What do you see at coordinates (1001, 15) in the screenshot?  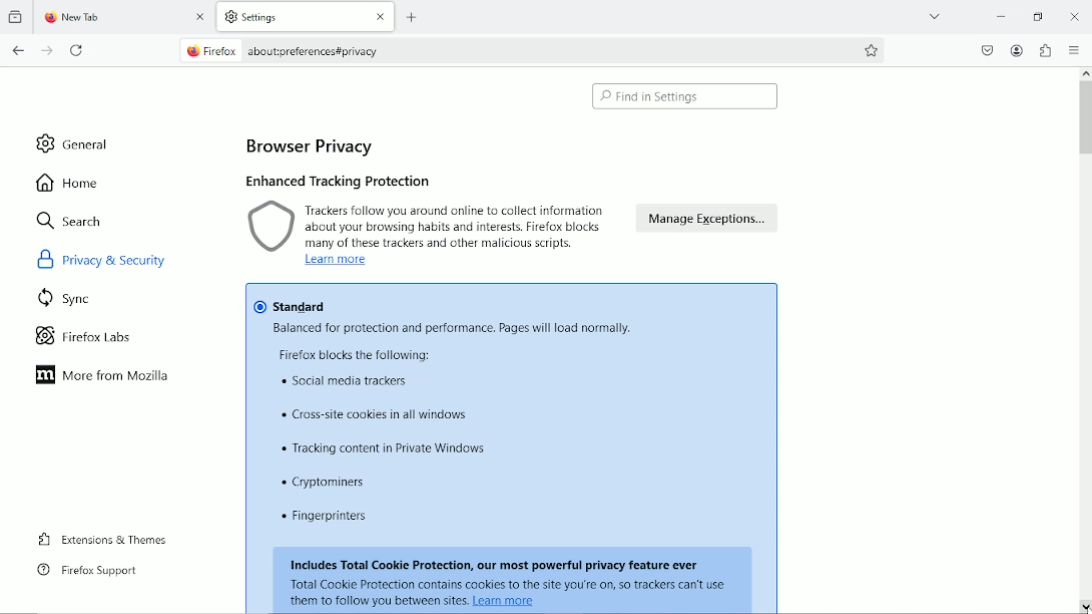 I see `minimize` at bounding box center [1001, 15].